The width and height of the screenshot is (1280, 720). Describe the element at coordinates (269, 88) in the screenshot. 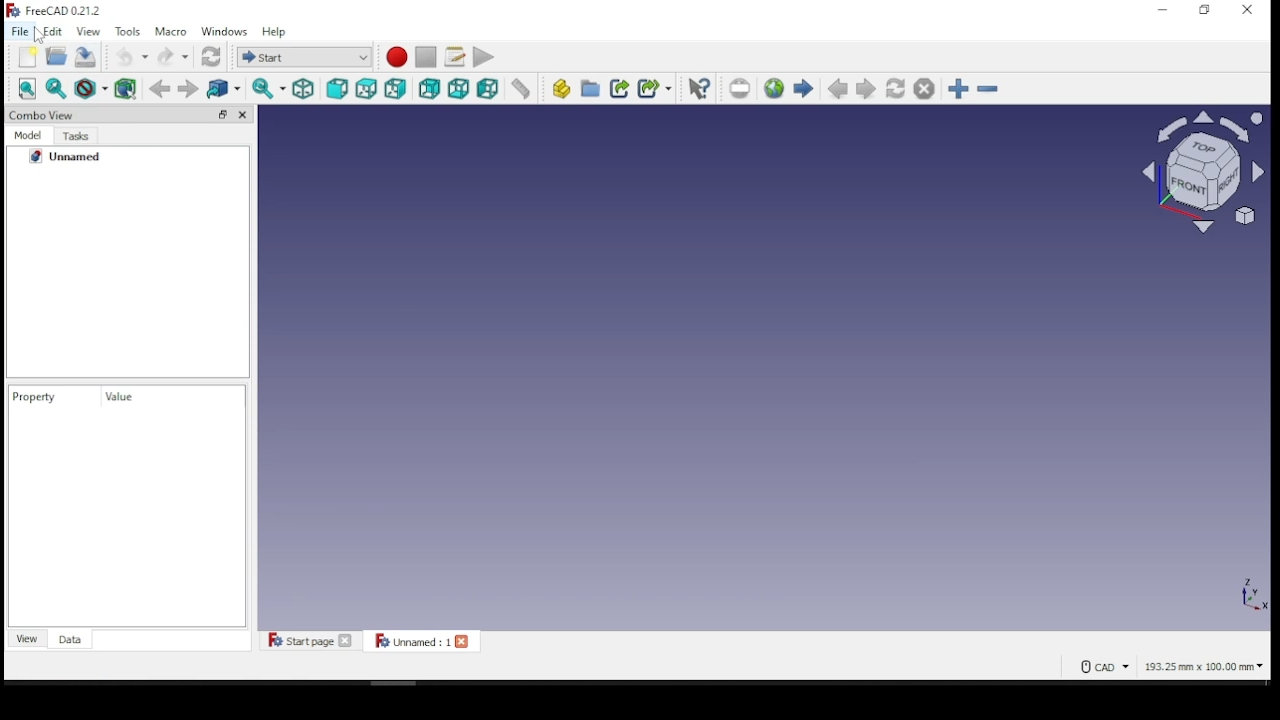

I see `sync view` at that location.